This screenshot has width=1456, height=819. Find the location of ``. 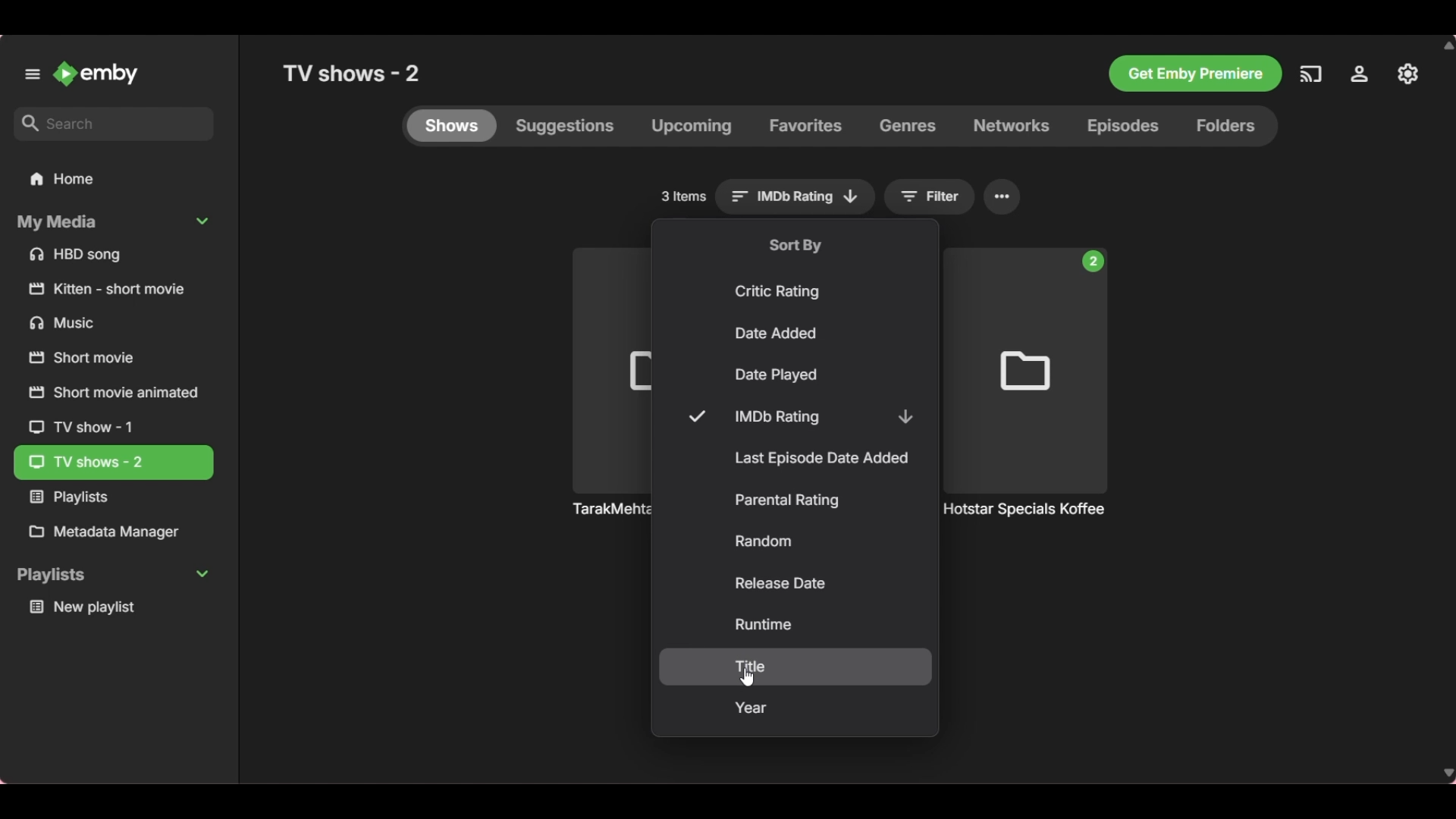

 is located at coordinates (1310, 73).